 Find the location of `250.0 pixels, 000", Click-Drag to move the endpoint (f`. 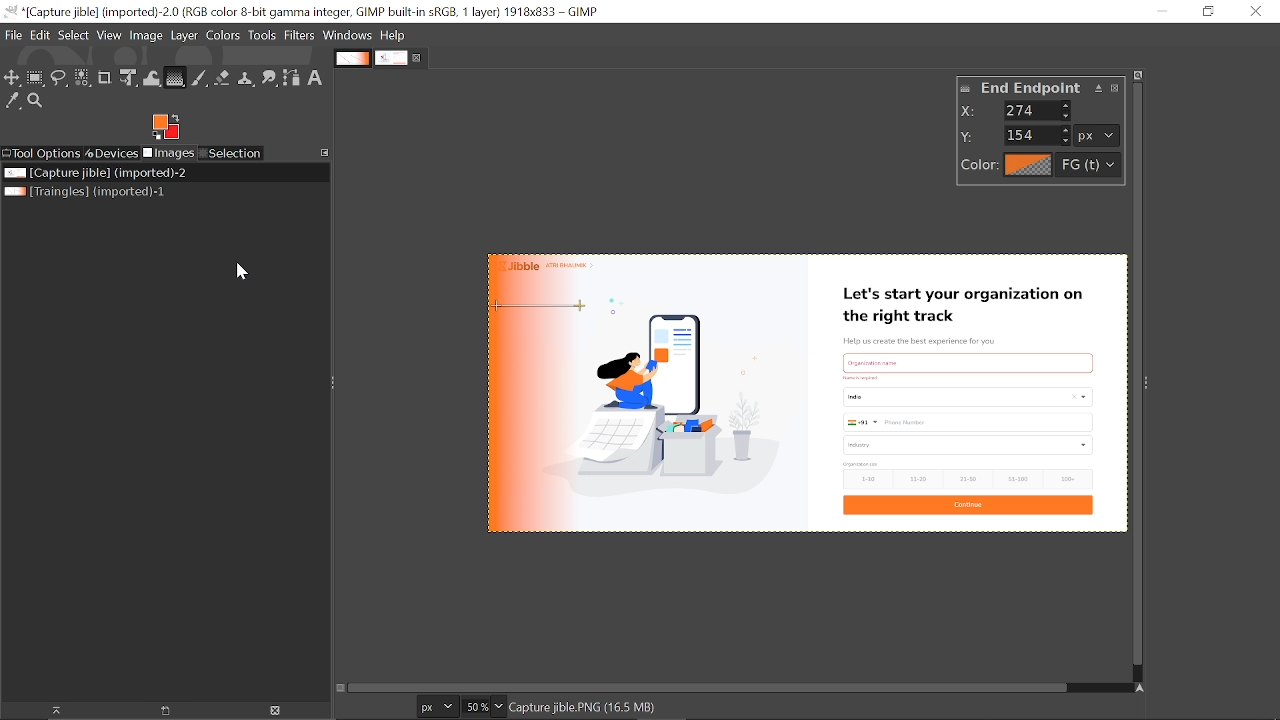

250.0 pixels, 000", Click-Drag to move the endpoint (f is located at coordinates (818, 707).